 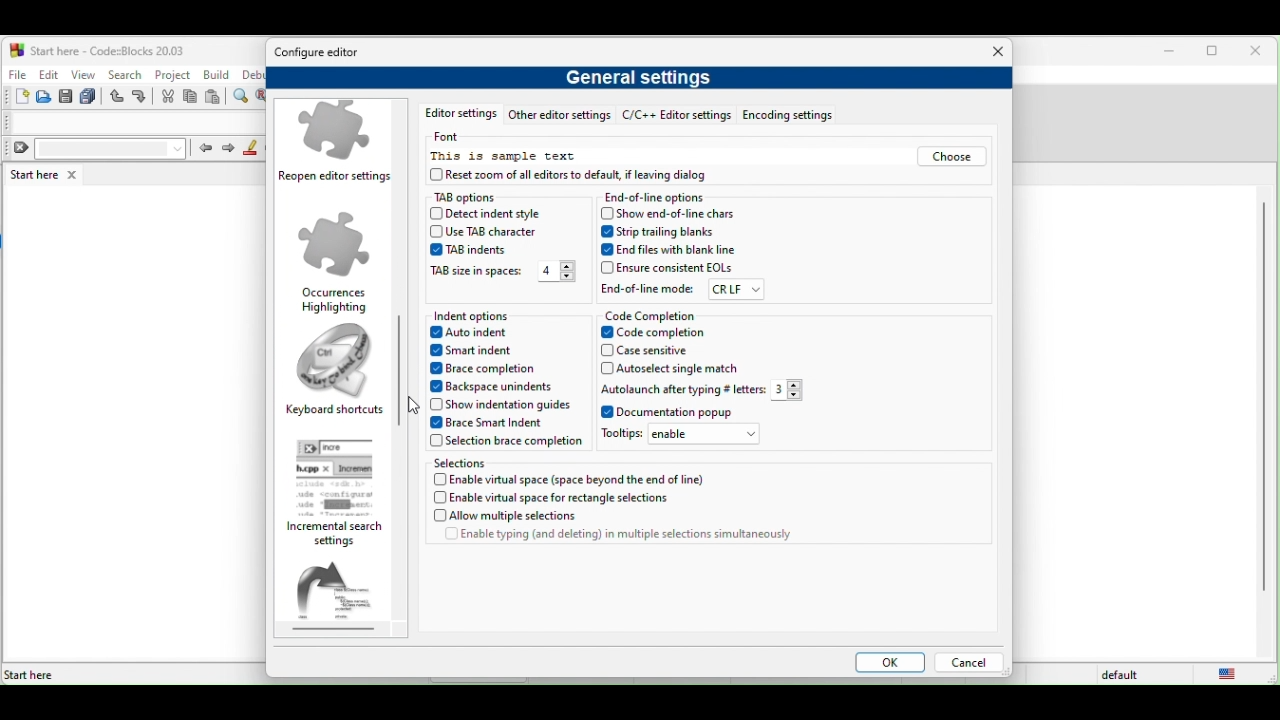 What do you see at coordinates (338, 145) in the screenshot?
I see `reopen editor settings` at bounding box center [338, 145].